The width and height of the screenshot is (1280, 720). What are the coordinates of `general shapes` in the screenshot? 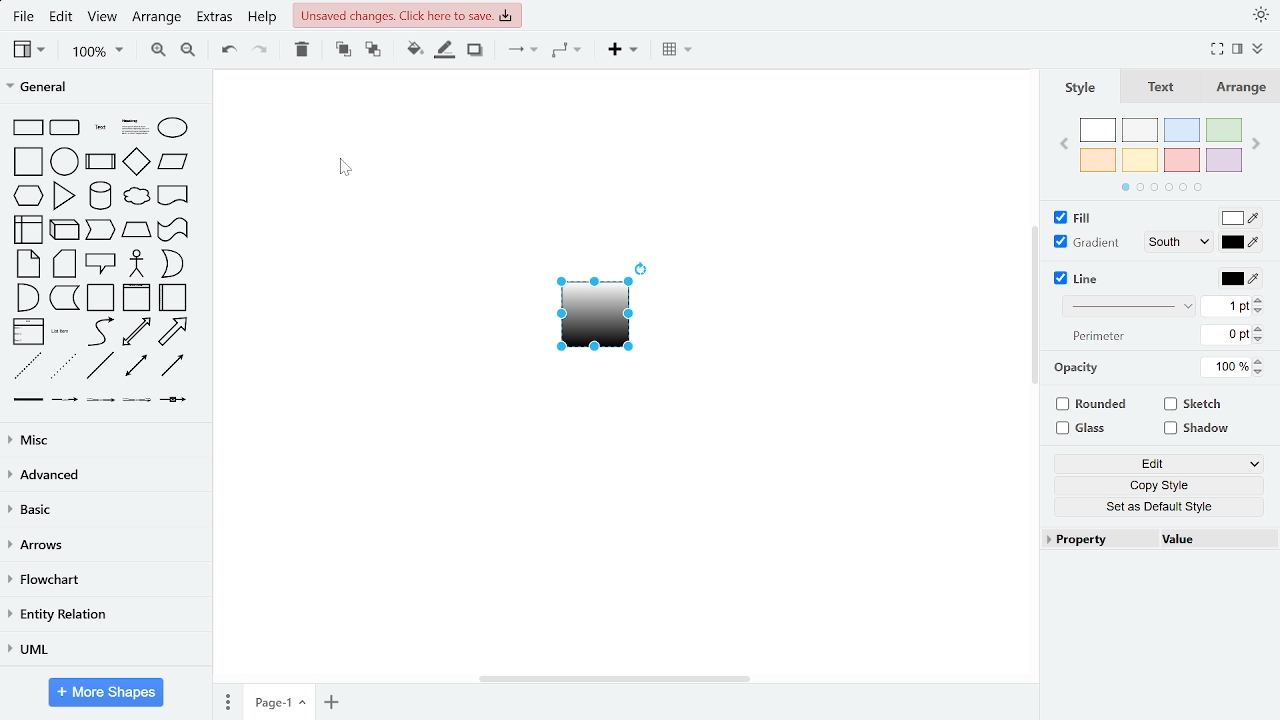 It's located at (135, 263).